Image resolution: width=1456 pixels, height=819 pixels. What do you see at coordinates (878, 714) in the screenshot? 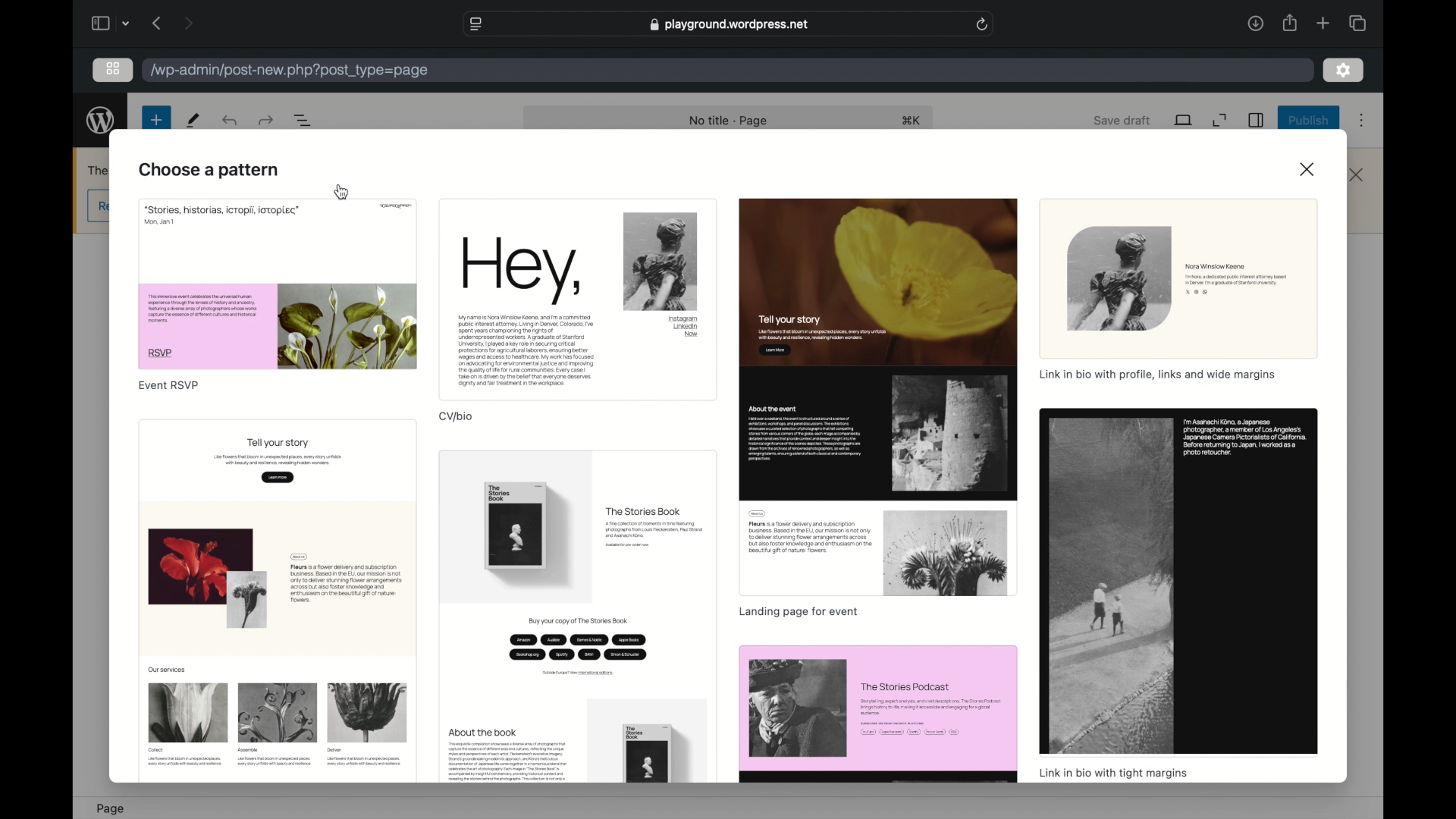
I see `preview` at bounding box center [878, 714].